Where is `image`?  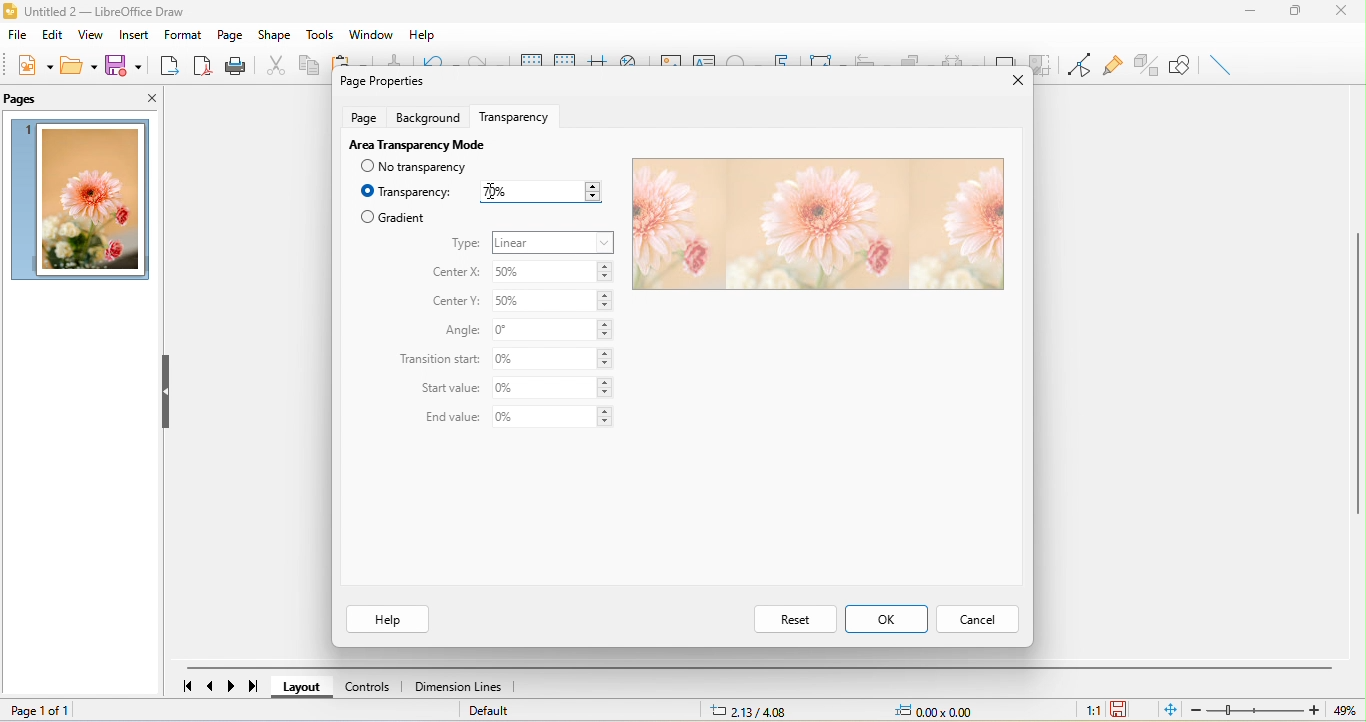
image is located at coordinates (82, 200).